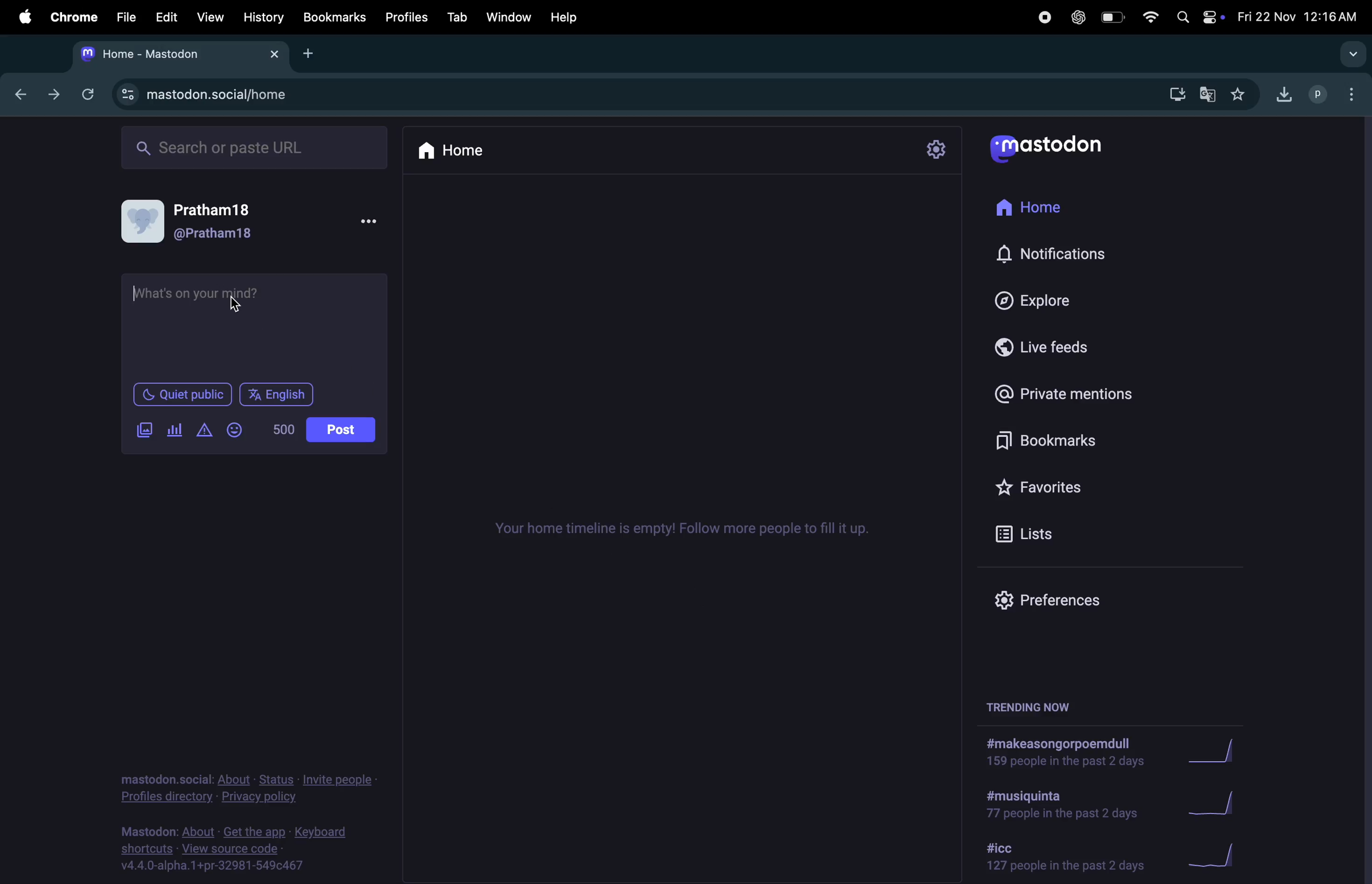 The height and width of the screenshot is (884, 1372). I want to click on add content, so click(200, 430).